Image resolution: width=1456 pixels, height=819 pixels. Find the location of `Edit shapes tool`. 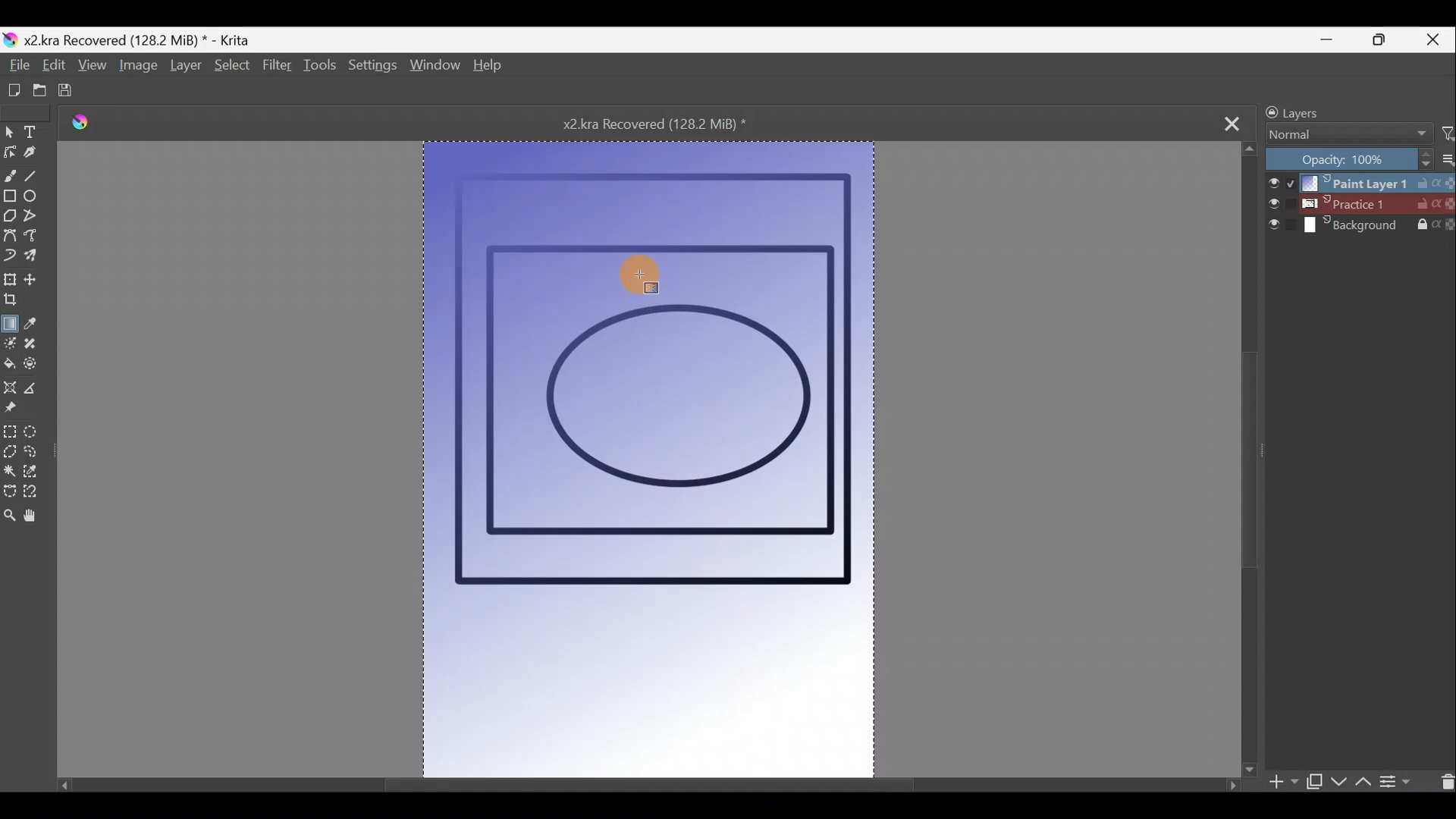

Edit shapes tool is located at coordinates (9, 154).